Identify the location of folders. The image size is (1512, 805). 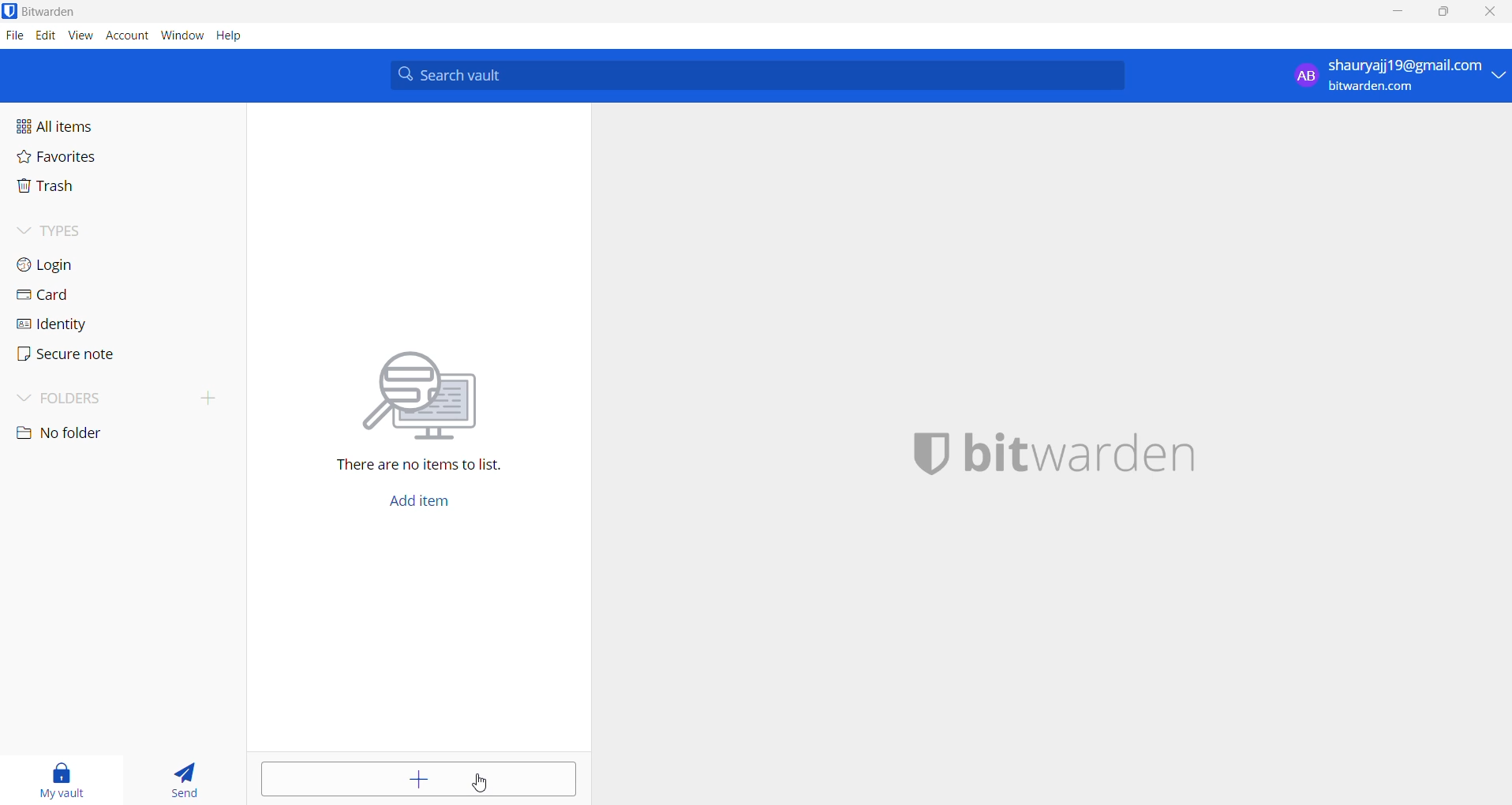
(123, 401).